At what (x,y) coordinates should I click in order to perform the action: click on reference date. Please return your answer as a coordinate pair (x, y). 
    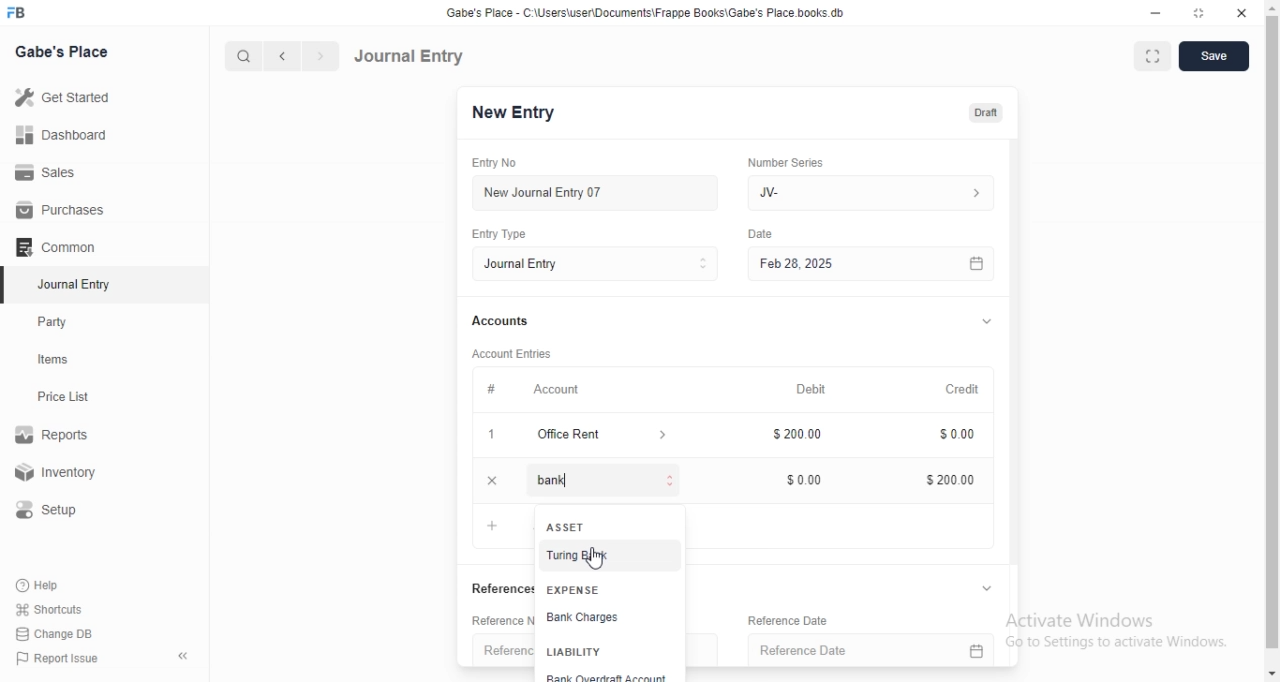
    Looking at the image, I should click on (805, 650).